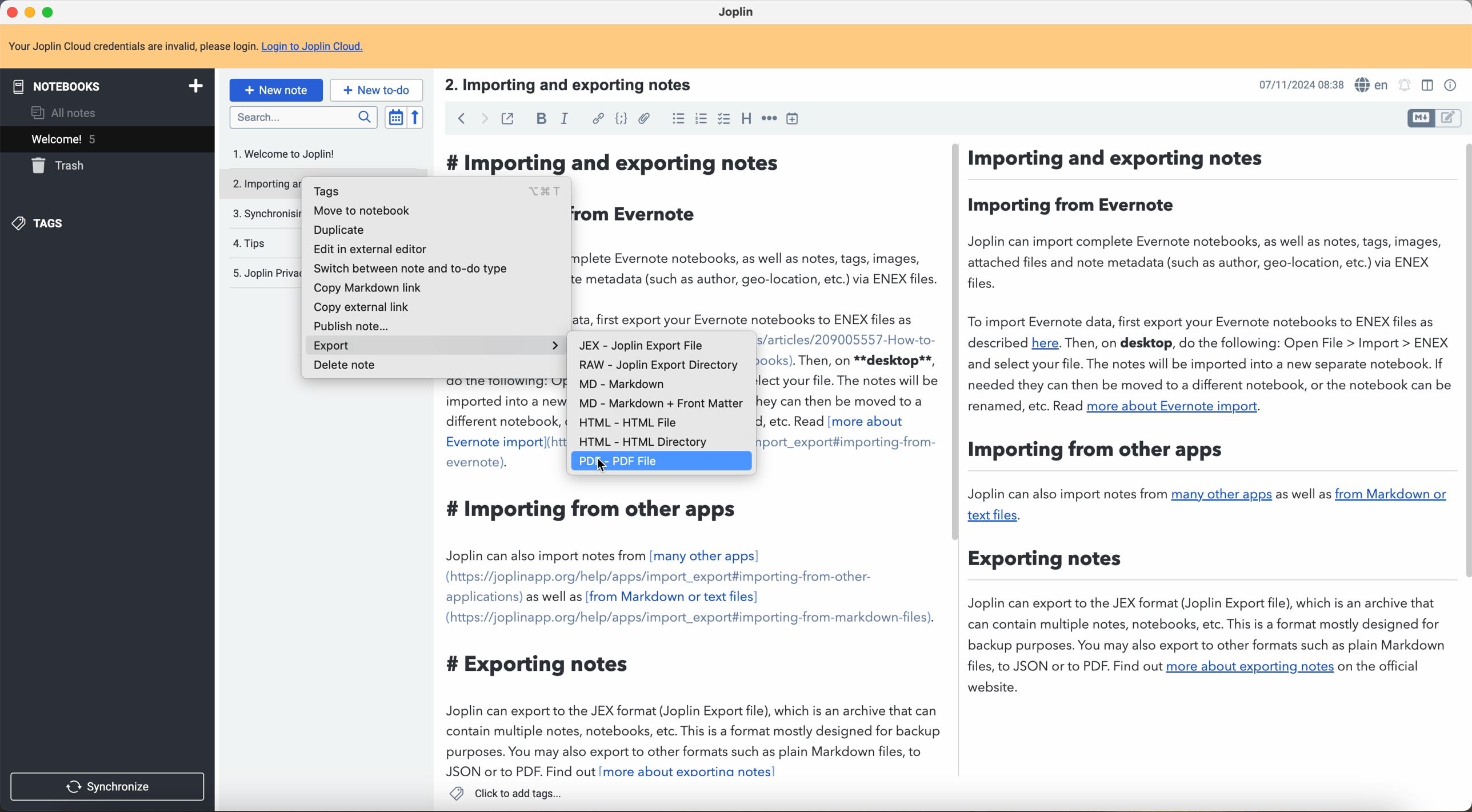 The width and height of the screenshot is (1472, 812). Describe the element at coordinates (42, 224) in the screenshot. I see `tags` at that location.